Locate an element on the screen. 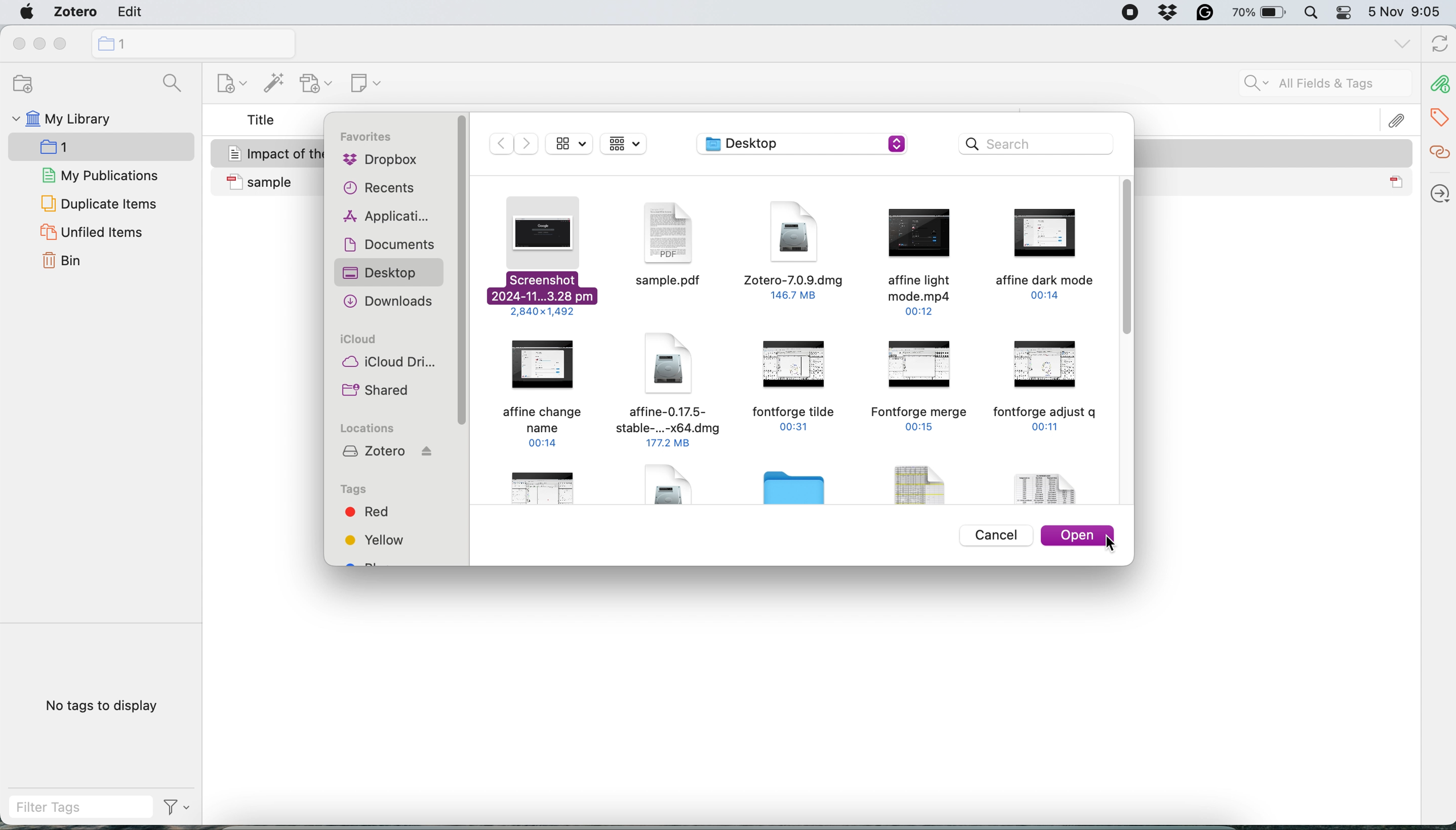 The width and height of the screenshot is (1456, 830). refresh is located at coordinates (1437, 45).